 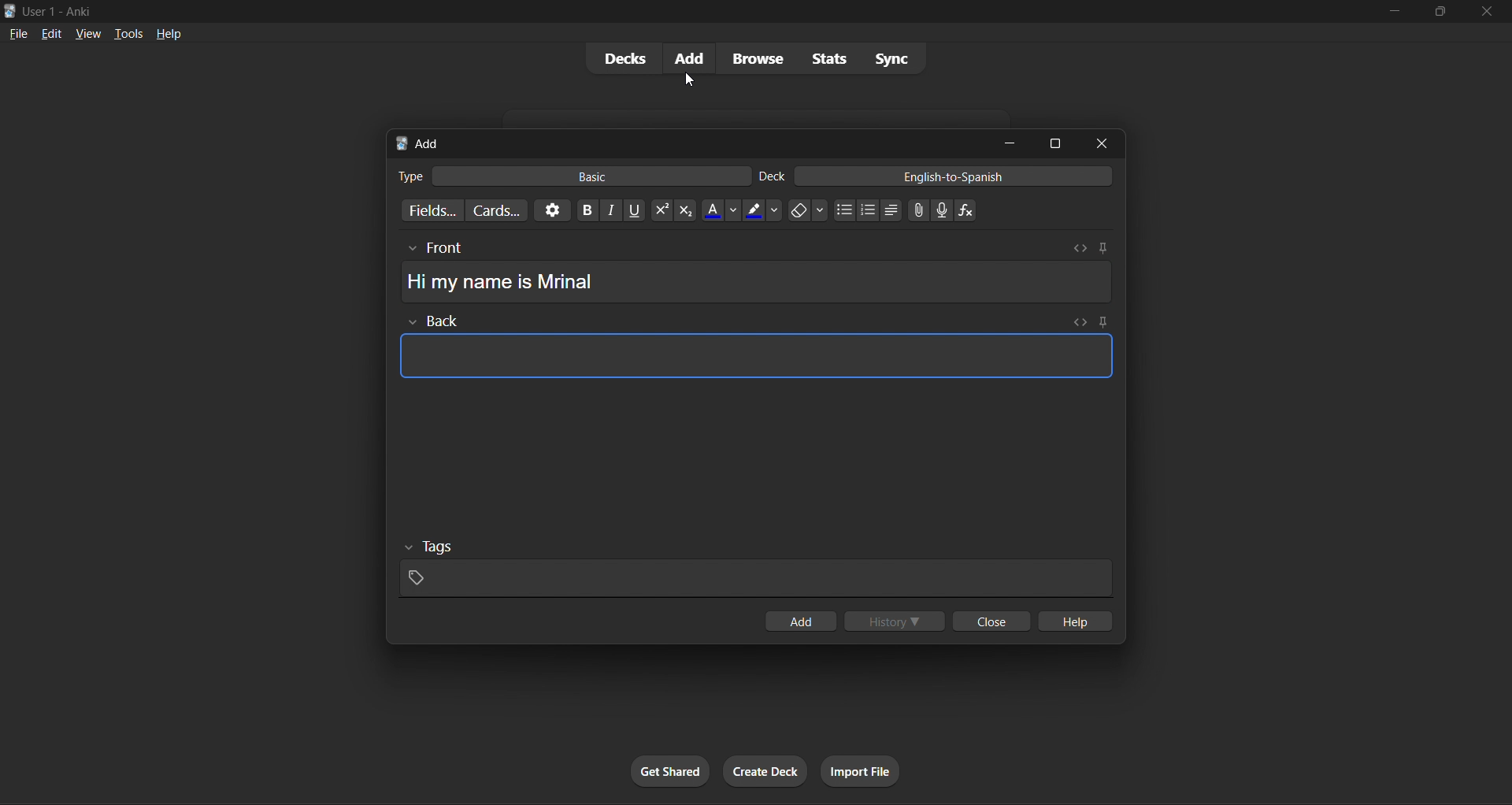 I want to click on edit, so click(x=47, y=31).